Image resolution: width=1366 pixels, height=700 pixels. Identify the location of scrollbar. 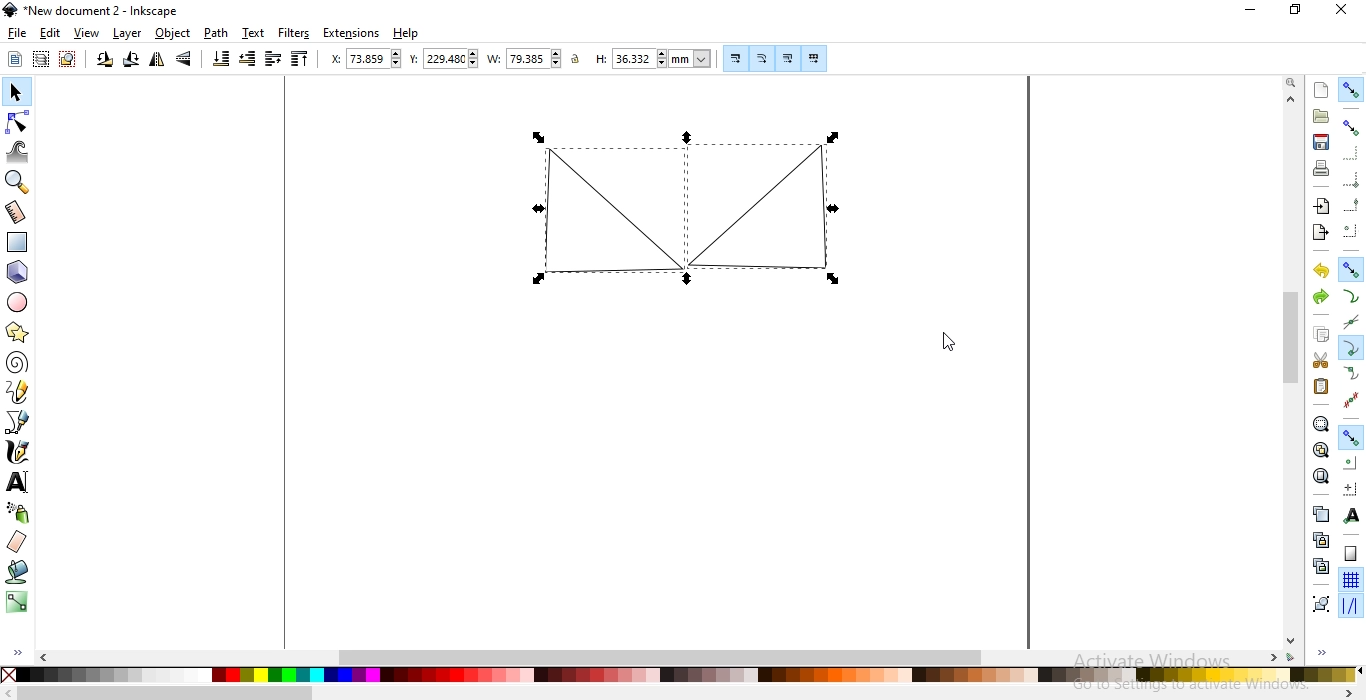
(671, 657).